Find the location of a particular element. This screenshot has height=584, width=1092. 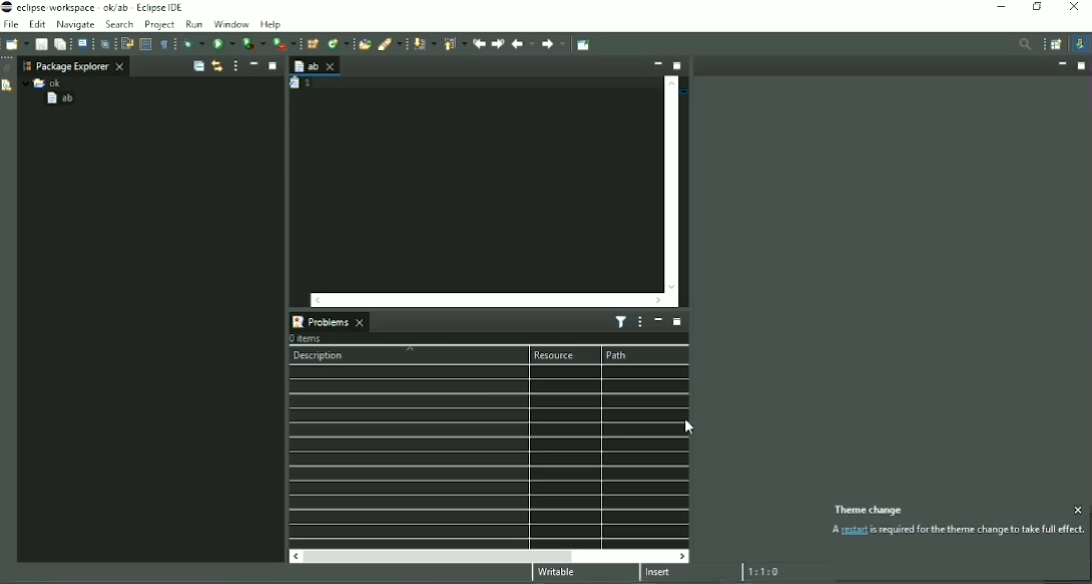

Window is located at coordinates (233, 24).